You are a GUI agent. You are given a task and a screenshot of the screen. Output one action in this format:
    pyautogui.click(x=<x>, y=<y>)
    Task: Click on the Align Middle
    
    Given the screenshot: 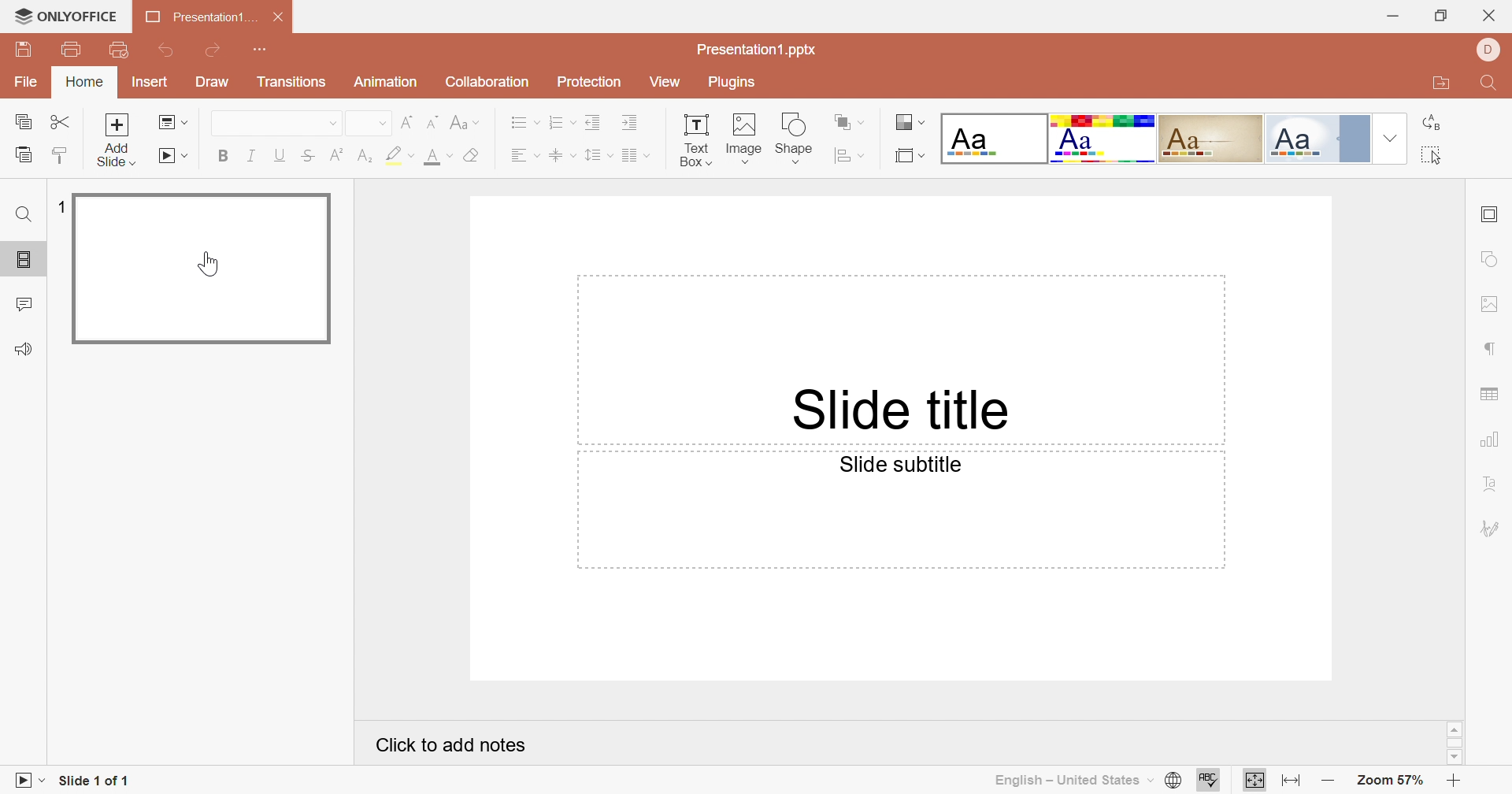 What is the action you would take?
    pyautogui.click(x=563, y=154)
    